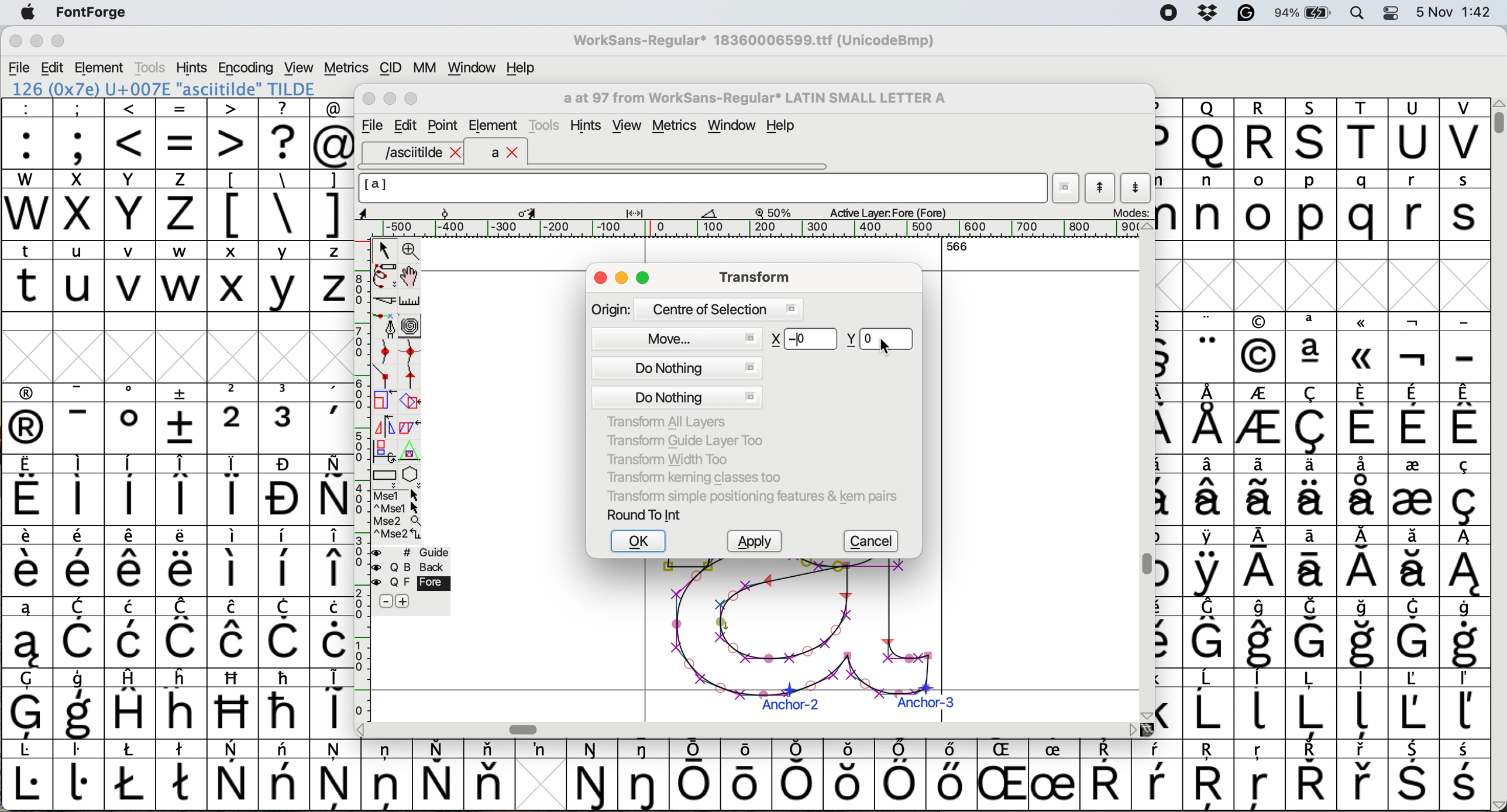 This screenshot has height=812, width=1507. What do you see at coordinates (588, 126) in the screenshot?
I see `hints` at bounding box center [588, 126].